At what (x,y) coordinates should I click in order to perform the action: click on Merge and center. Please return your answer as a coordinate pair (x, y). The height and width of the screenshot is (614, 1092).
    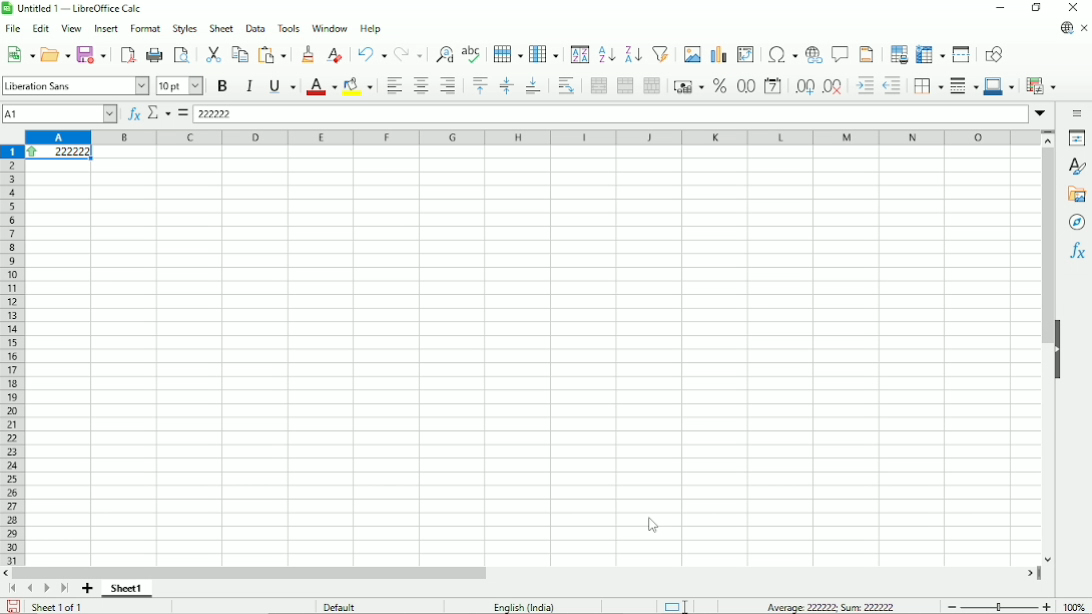
    Looking at the image, I should click on (598, 85).